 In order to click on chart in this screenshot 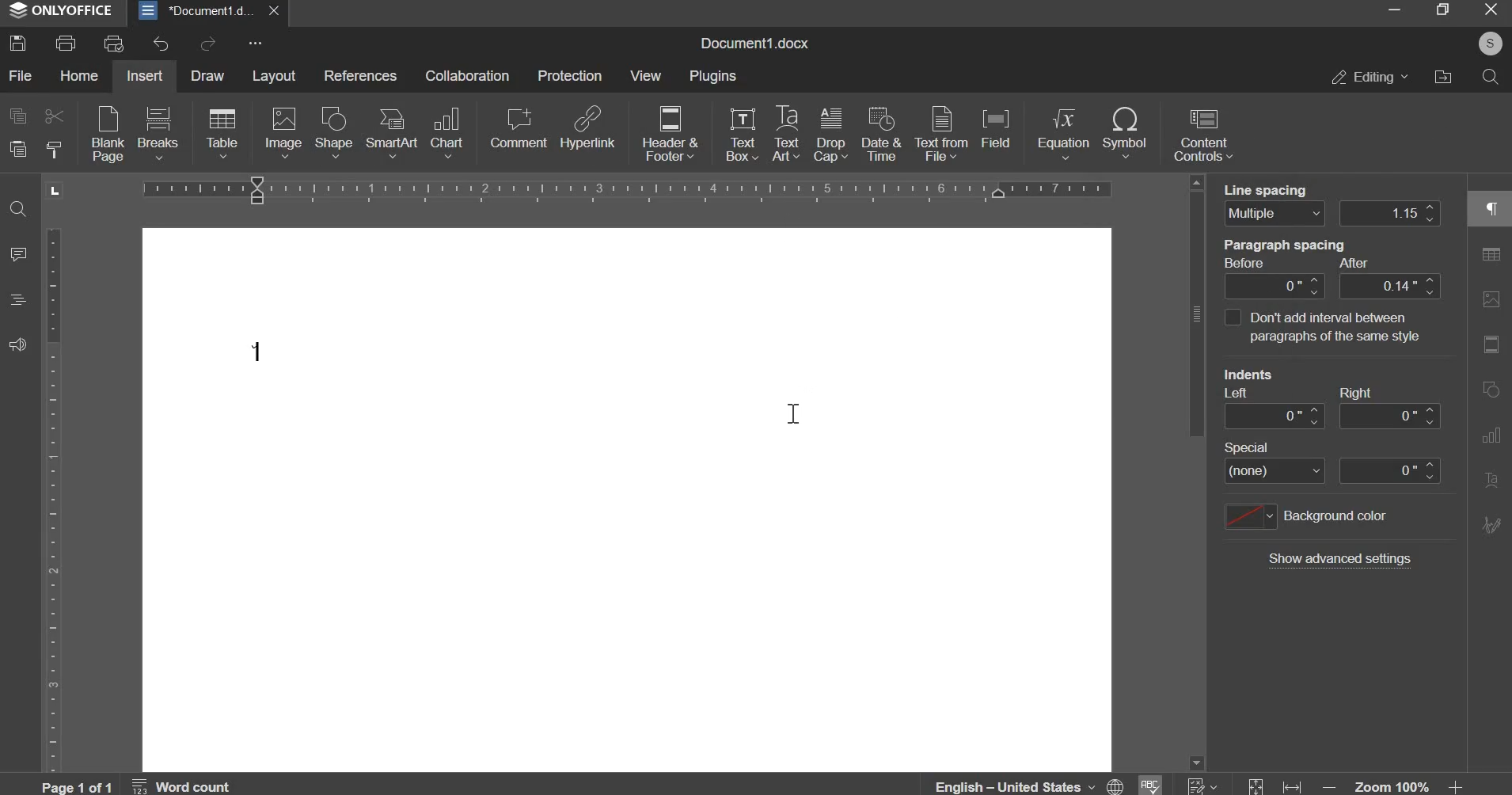, I will do `click(447, 132)`.